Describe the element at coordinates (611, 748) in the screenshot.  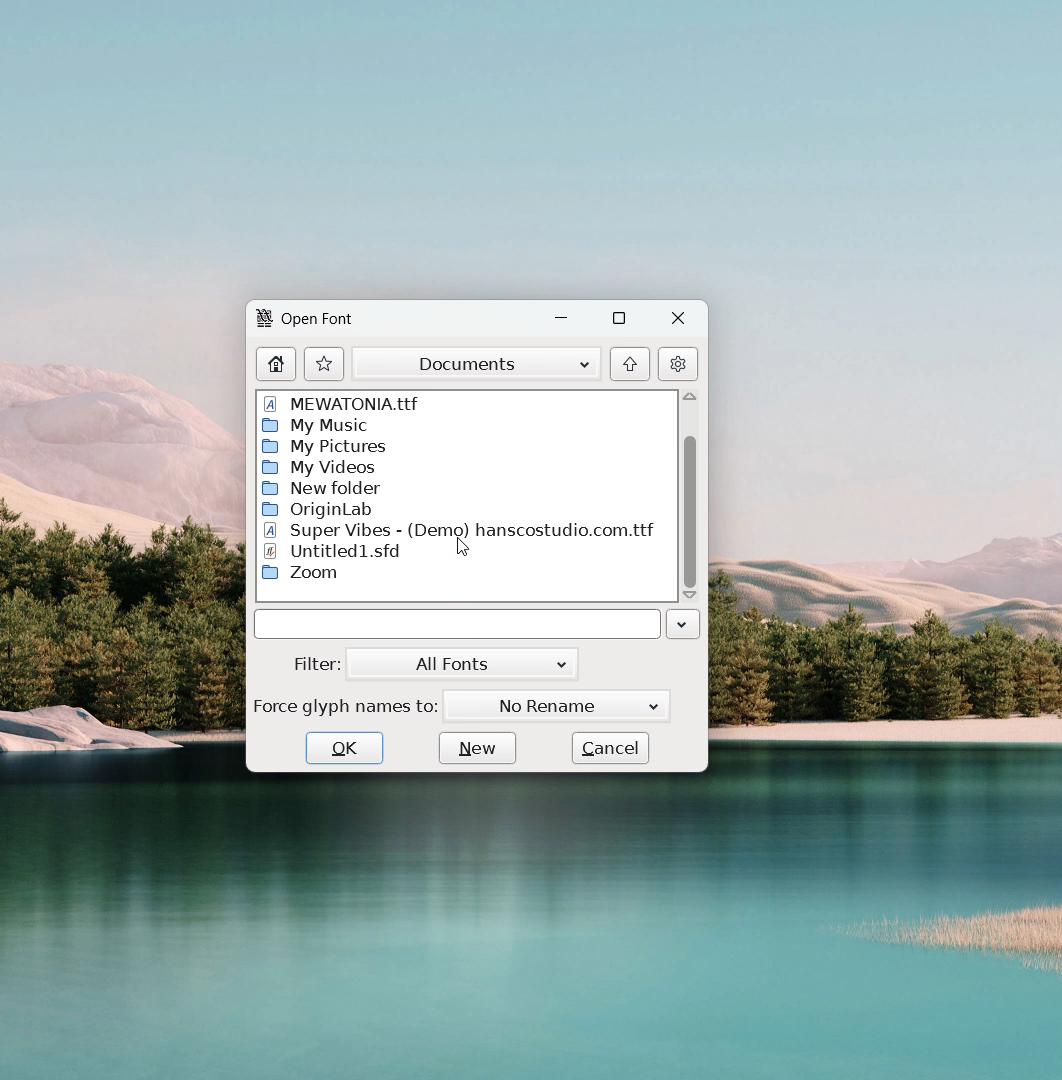
I see `cancel` at that location.